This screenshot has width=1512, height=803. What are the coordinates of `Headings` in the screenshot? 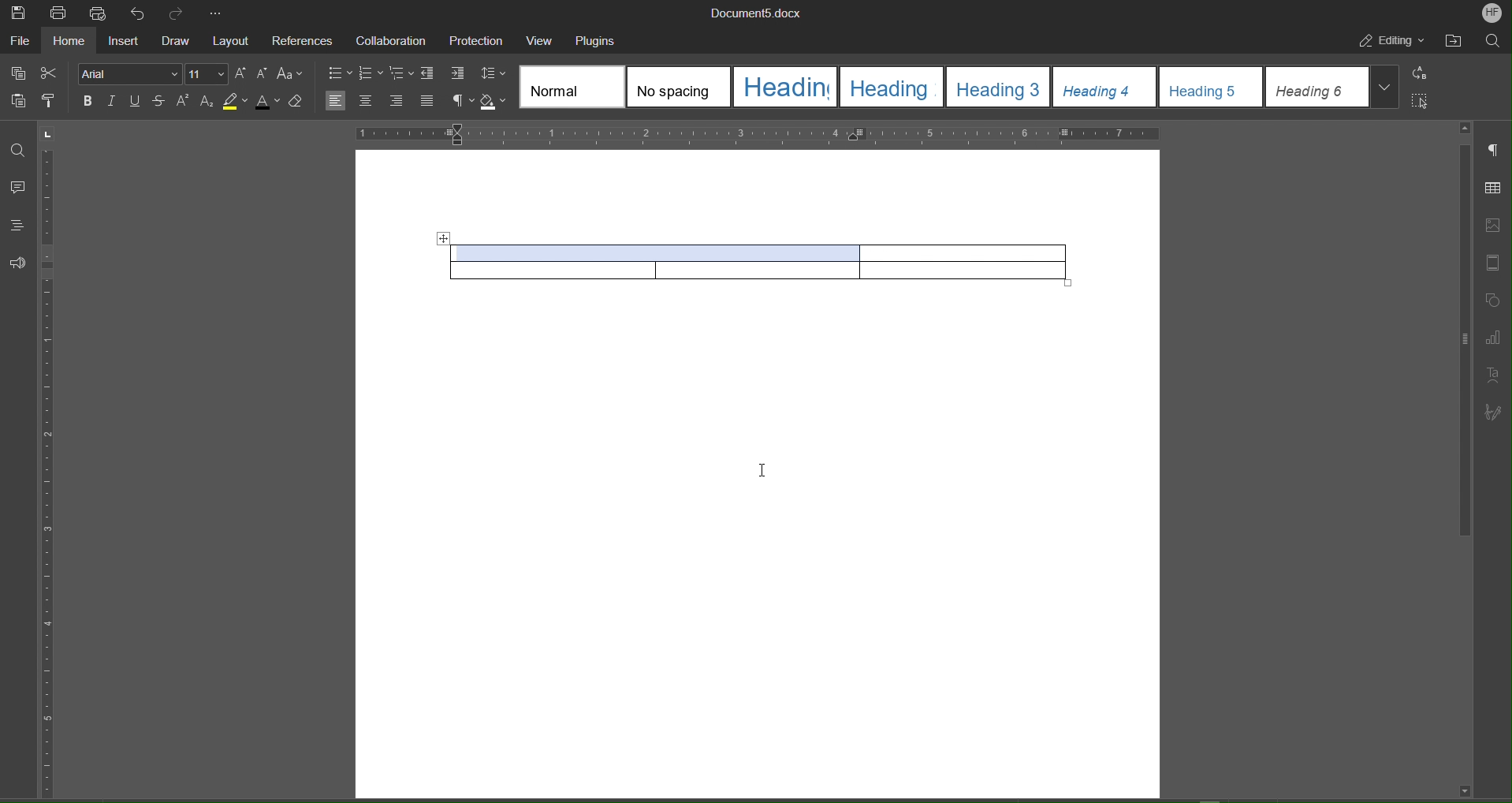 It's located at (18, 223).